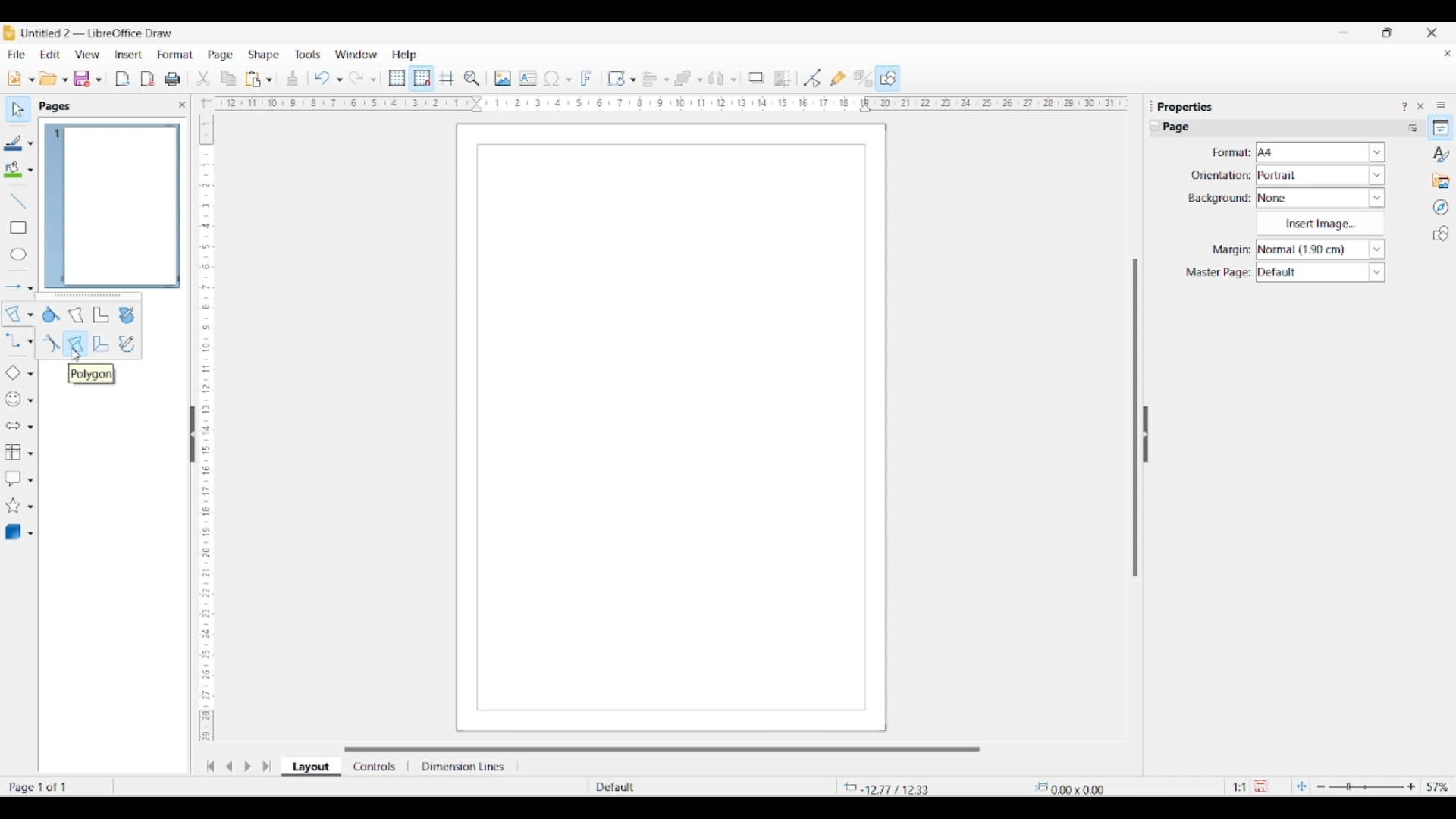 The image size is (1456, 819). Describe the element at coordinates (32, 80) in the screenshot. I see `New document format options` at that location.